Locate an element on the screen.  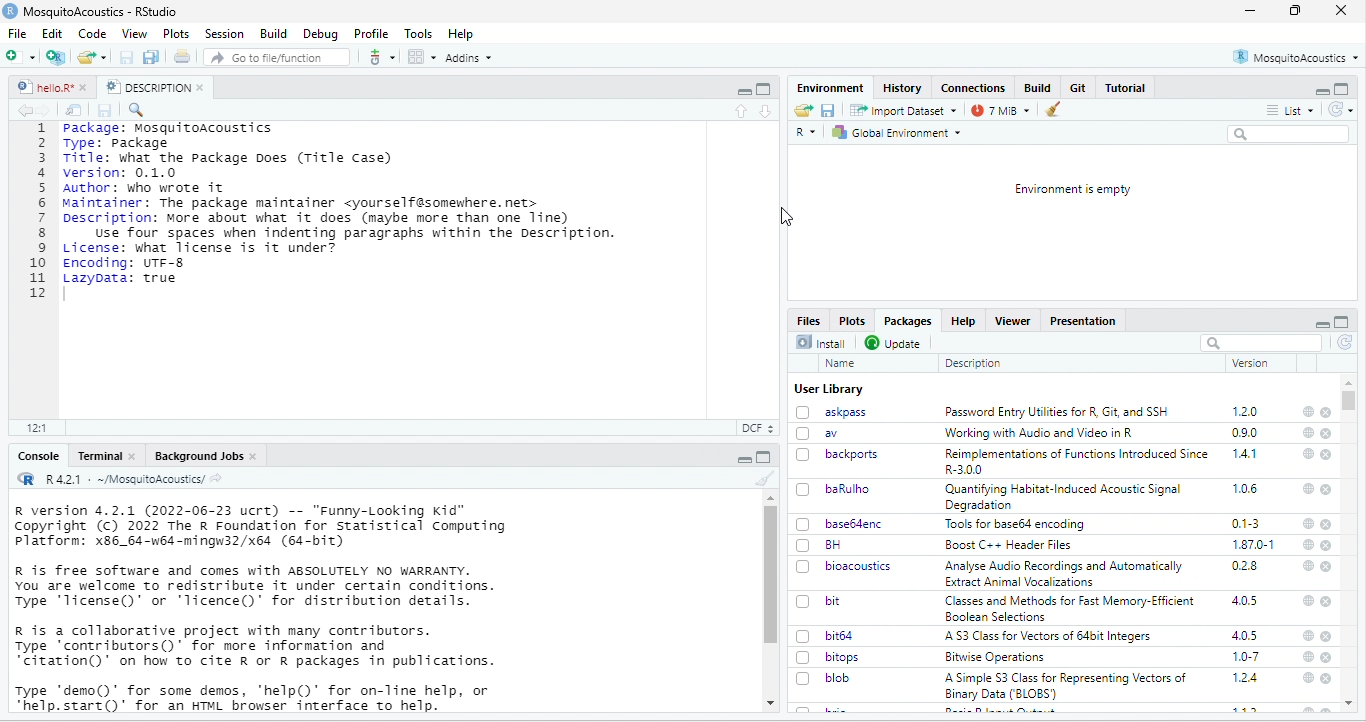
scroll bar is located at coordinates (1353, 402).